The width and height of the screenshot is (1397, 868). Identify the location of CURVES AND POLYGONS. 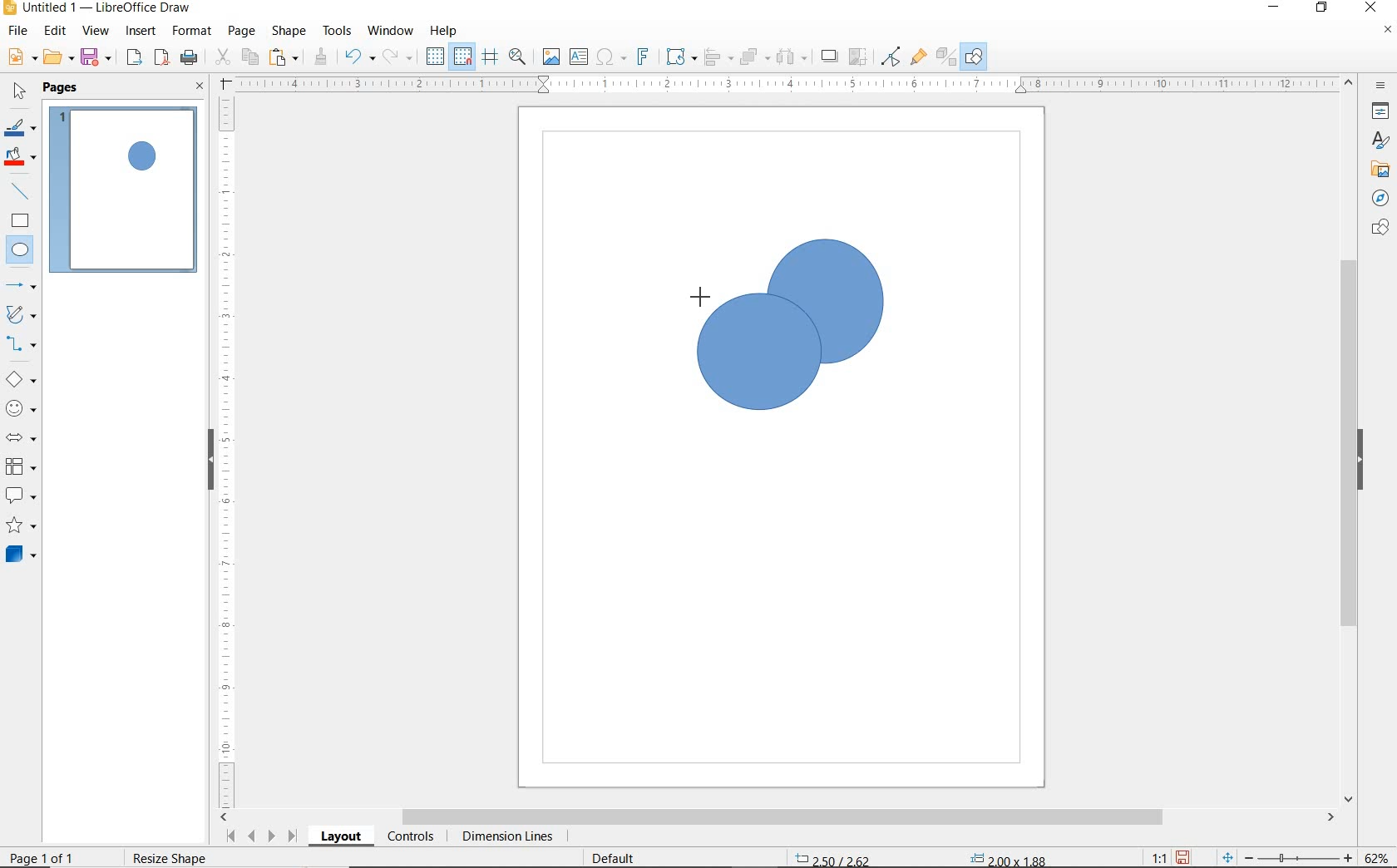
(20, 316).